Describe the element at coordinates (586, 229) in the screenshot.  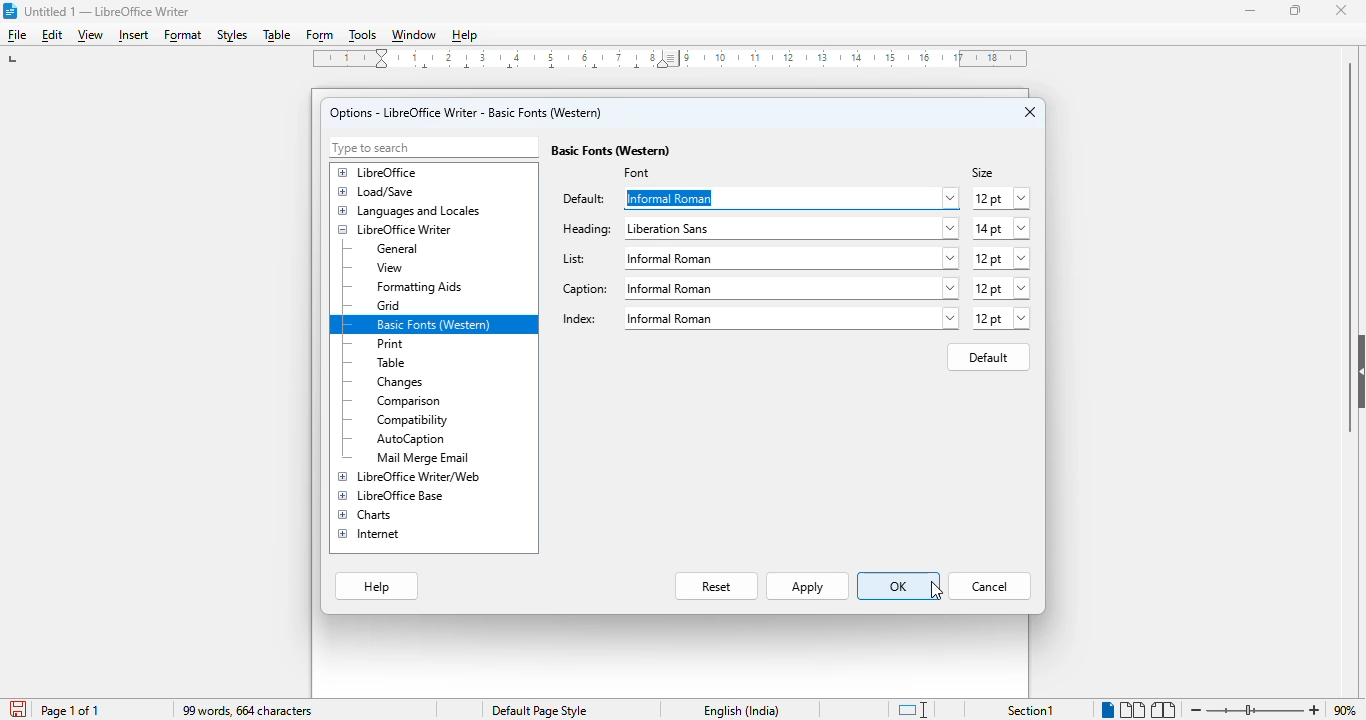
I see `heading: ` at that location.